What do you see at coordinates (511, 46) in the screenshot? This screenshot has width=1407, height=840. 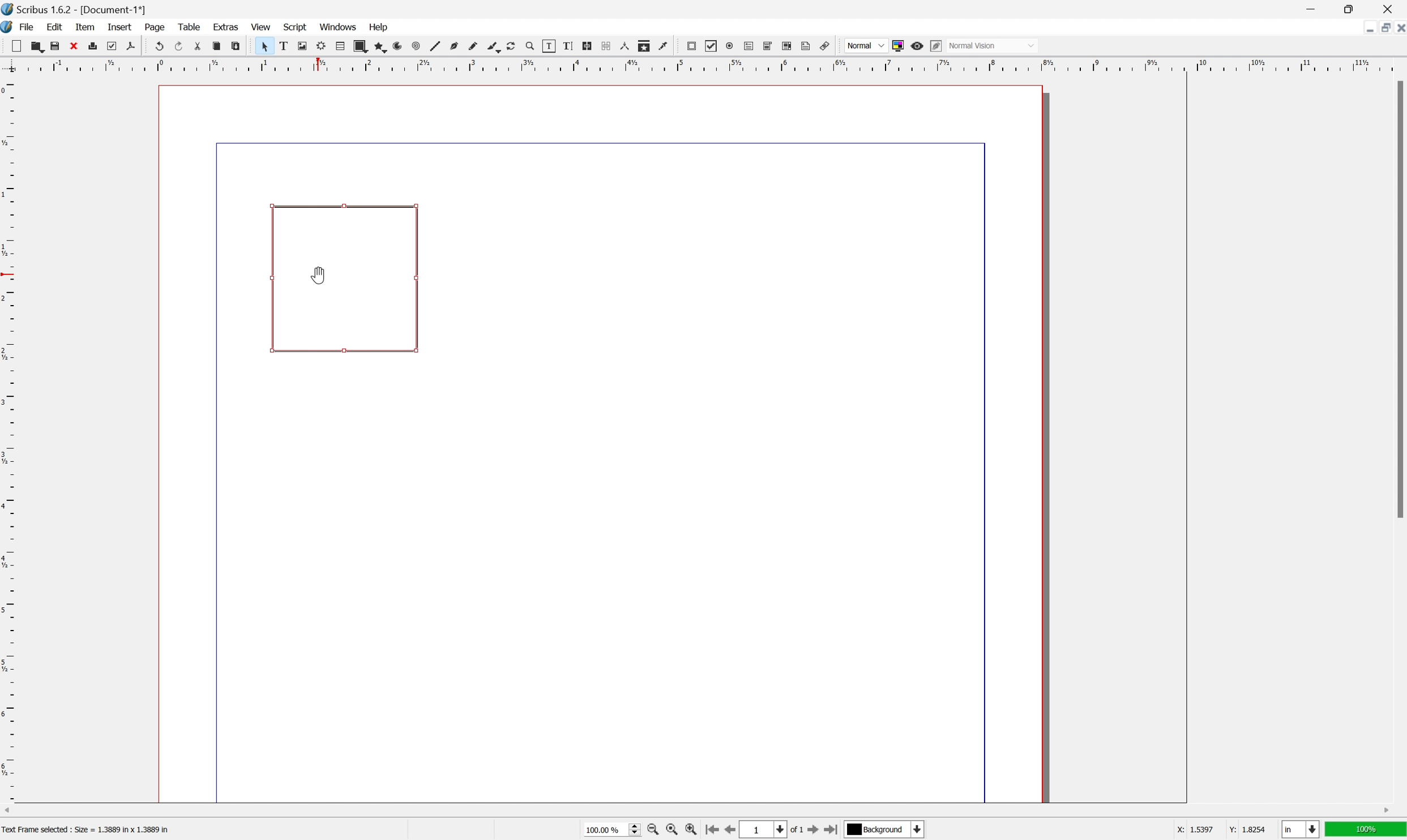 I see `rotate item` at bounding box center [511, 46].